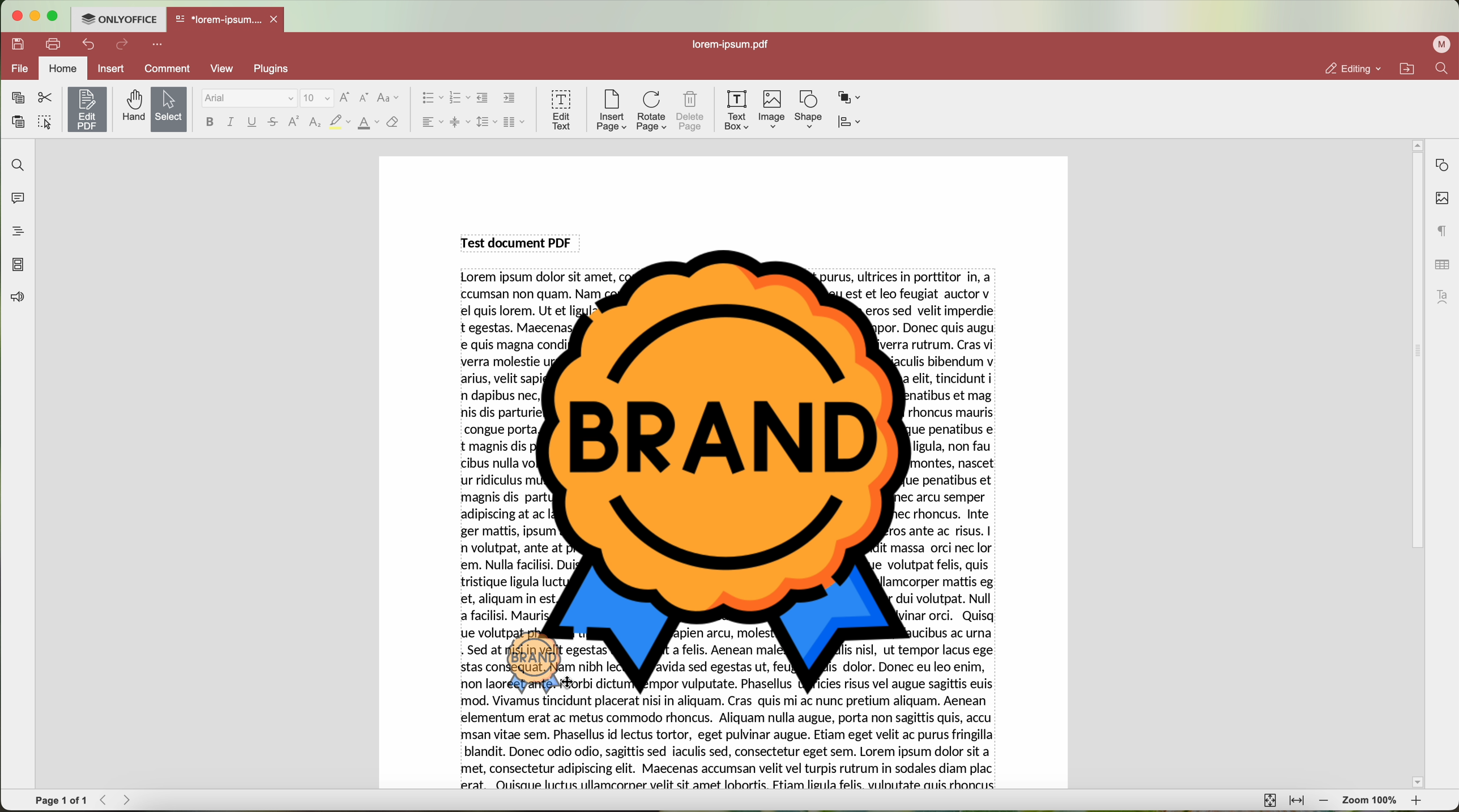  I want to click on Image, so click(773, 110).